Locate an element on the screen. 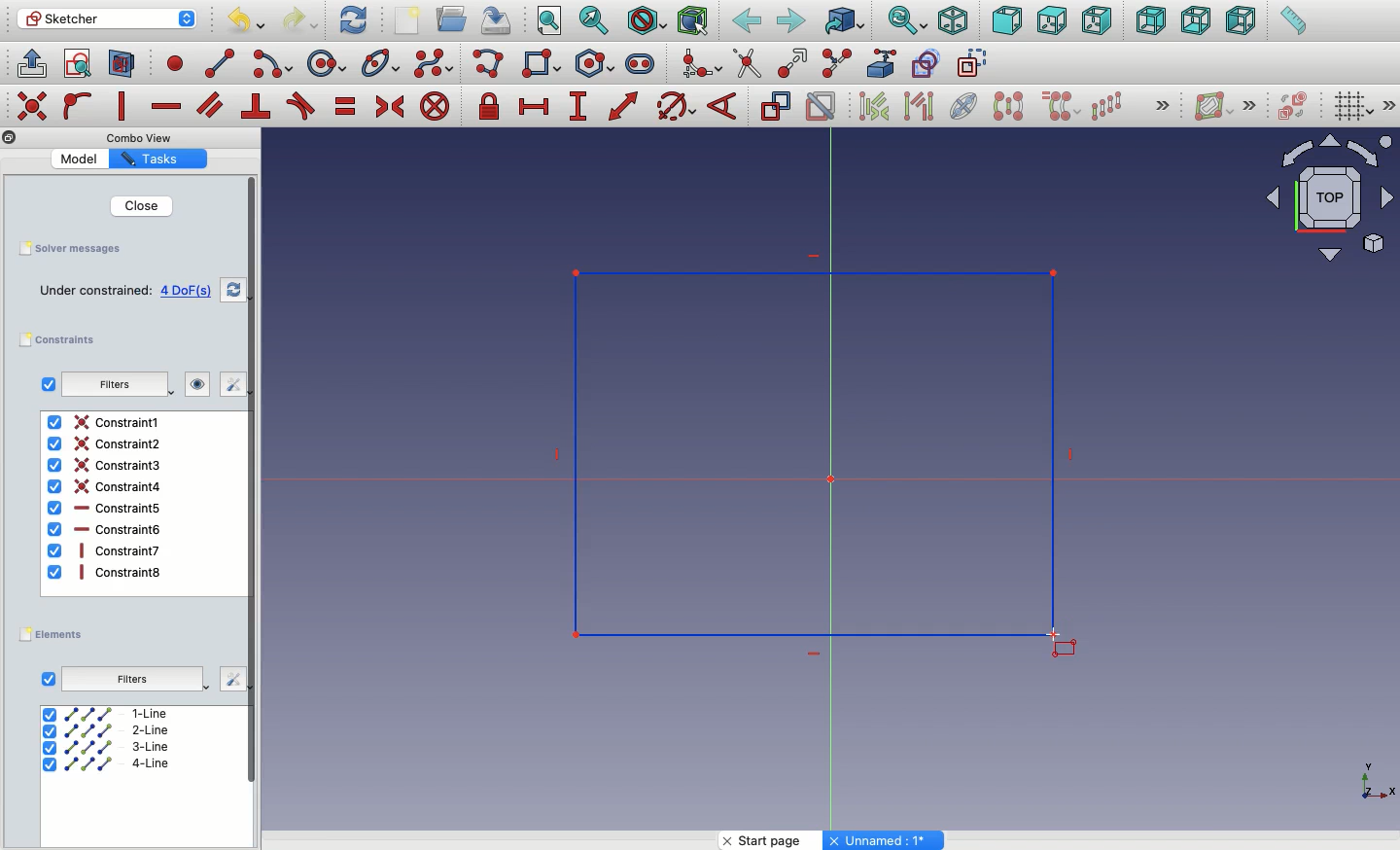 This screenshot has height=850, width=1400. arc is located at coordinates (274, 64).